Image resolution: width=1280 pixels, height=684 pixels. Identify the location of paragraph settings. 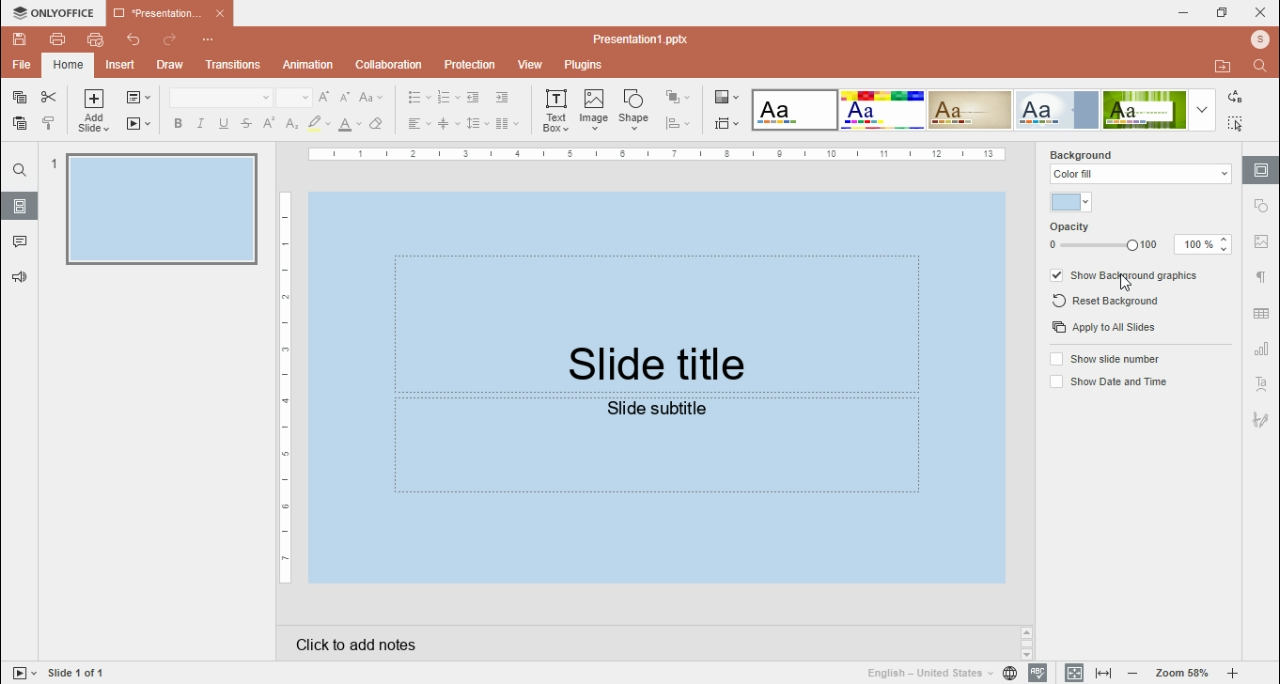
(1263, 276).